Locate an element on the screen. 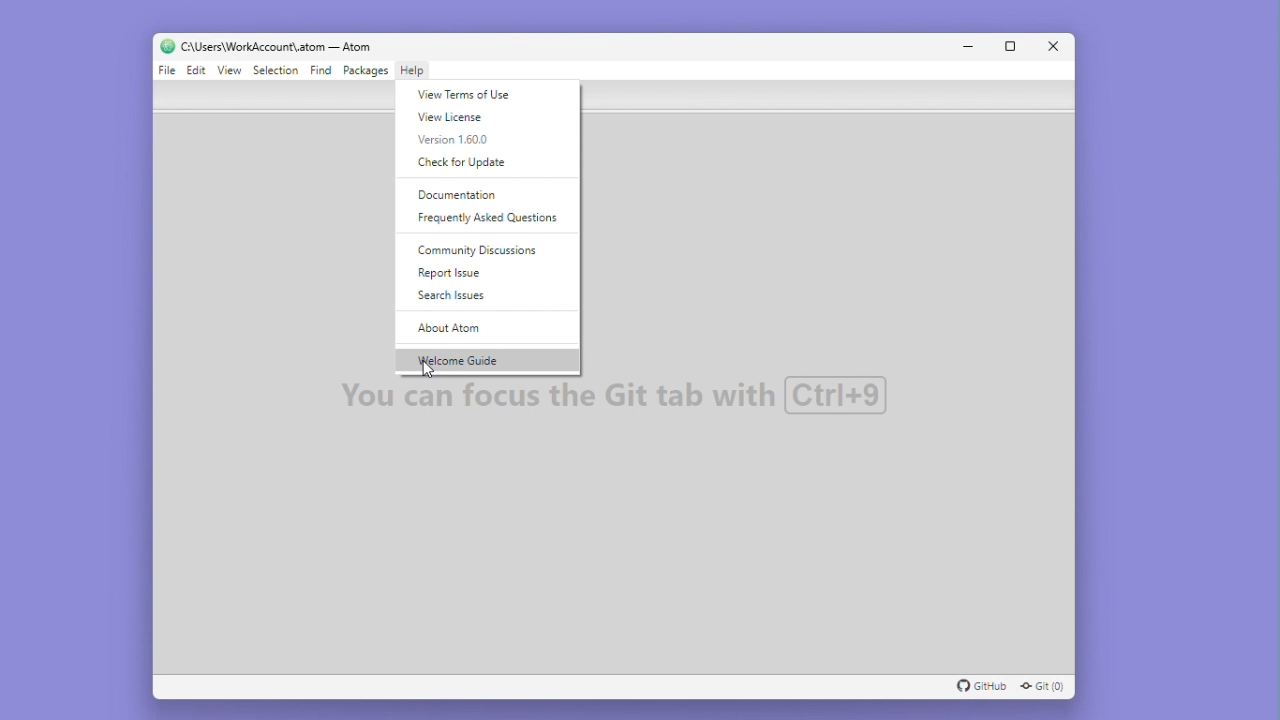  C:\Users\WorkAccount\.atom — Atom is located at coordinates (269, 47).